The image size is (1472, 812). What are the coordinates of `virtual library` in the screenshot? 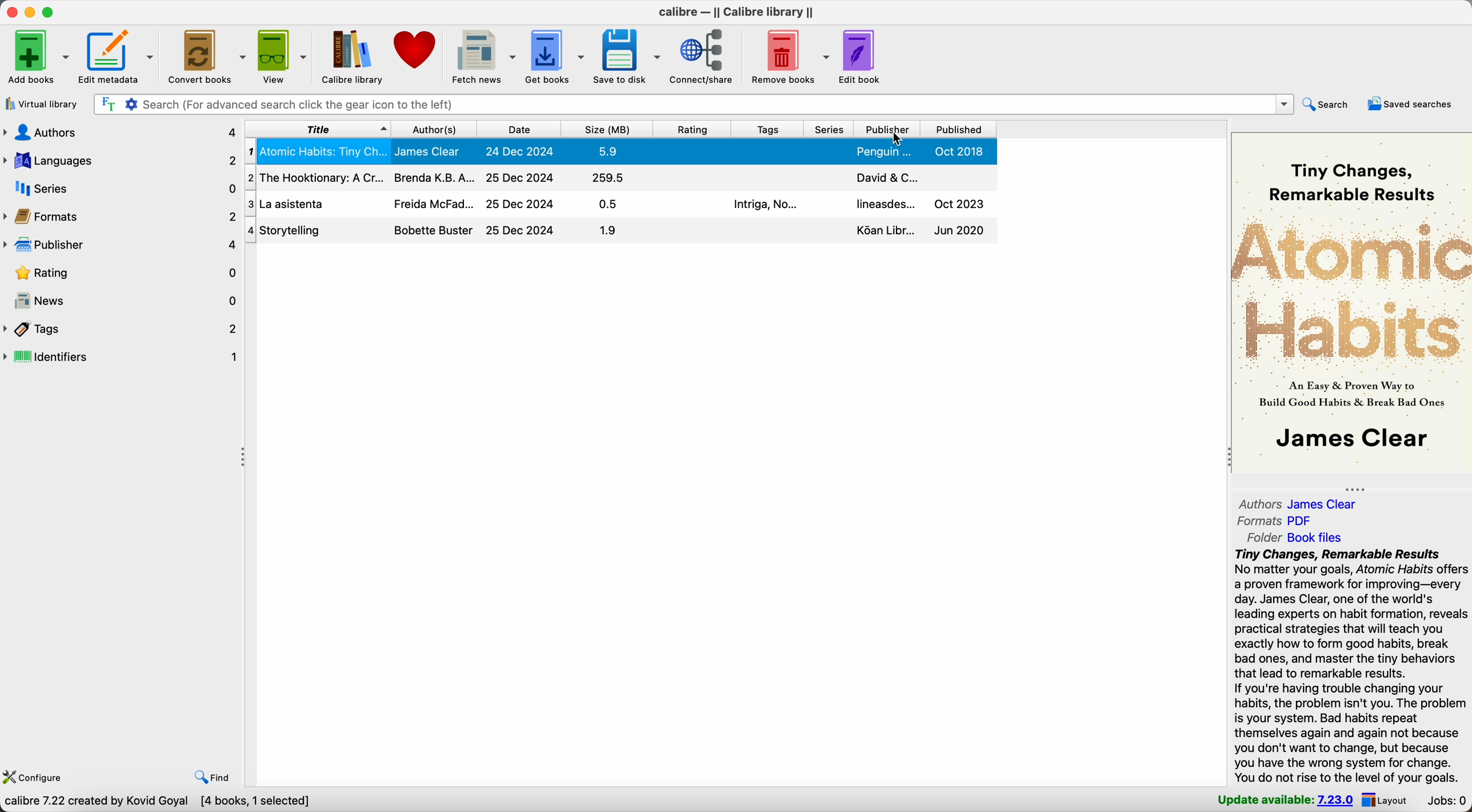 It's located at (41, 106).